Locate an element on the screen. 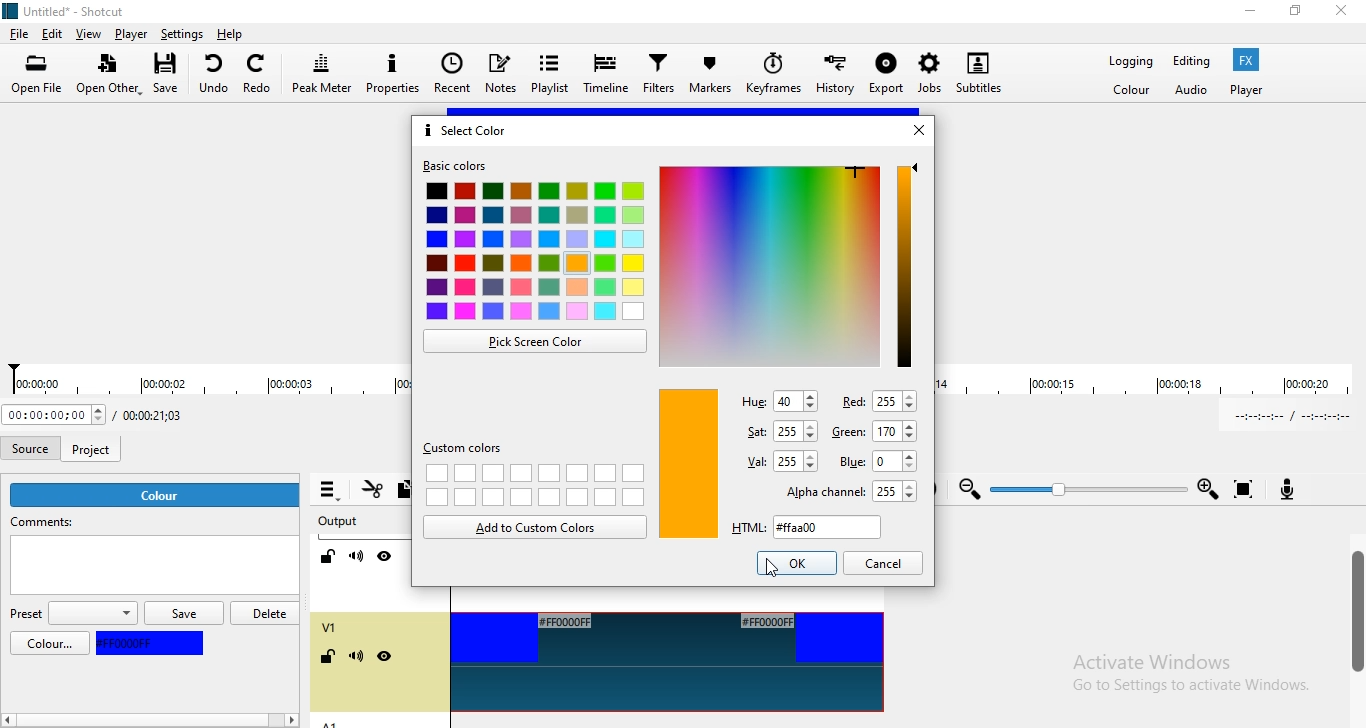 The height and width of the screenshot is (728, 1366). Zoom in is located at coordinates (1208, 490).